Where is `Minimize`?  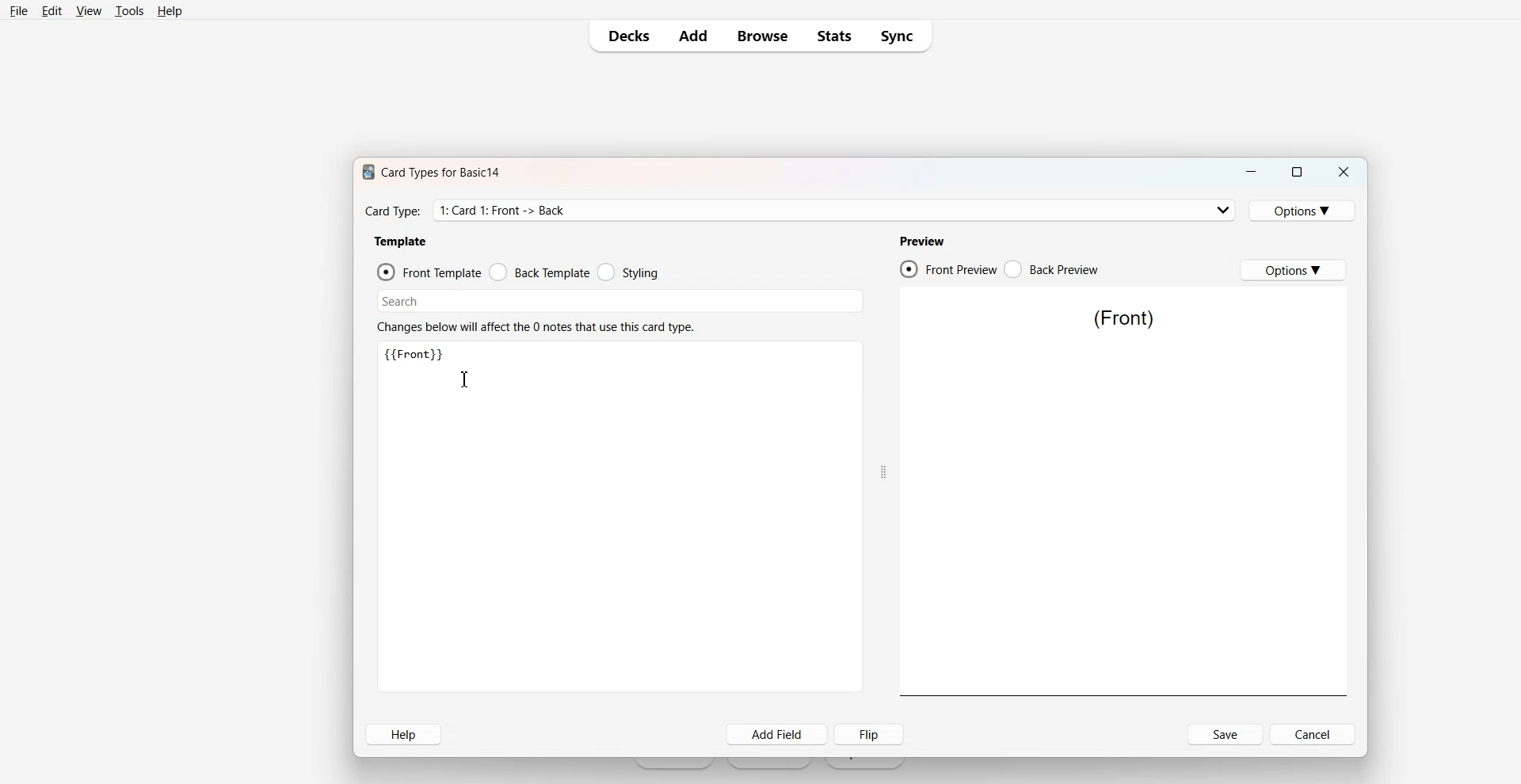
Minimize is located at coordinates (1252, 172).